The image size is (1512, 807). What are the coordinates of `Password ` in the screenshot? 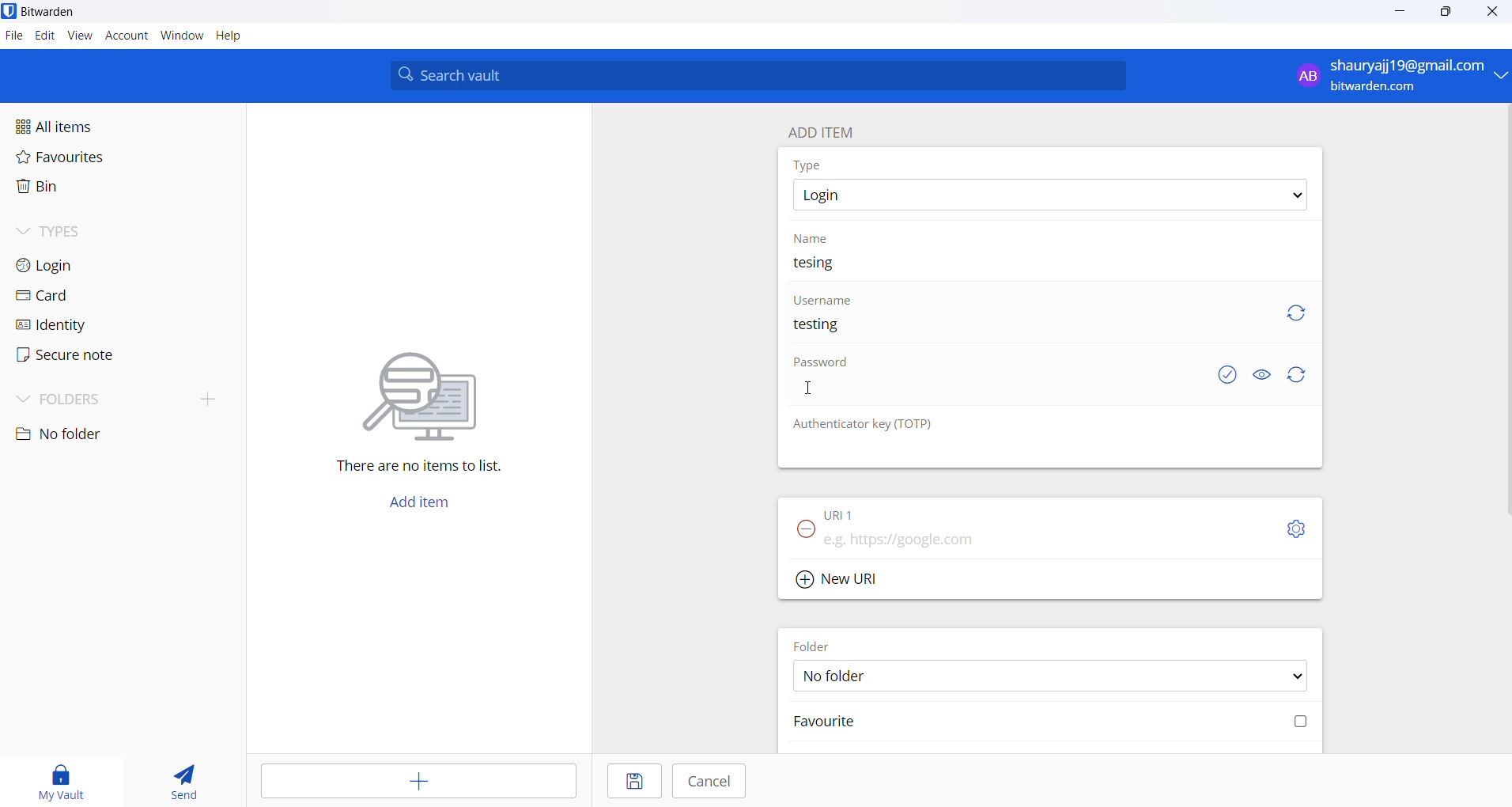 It's located at (825, 366).